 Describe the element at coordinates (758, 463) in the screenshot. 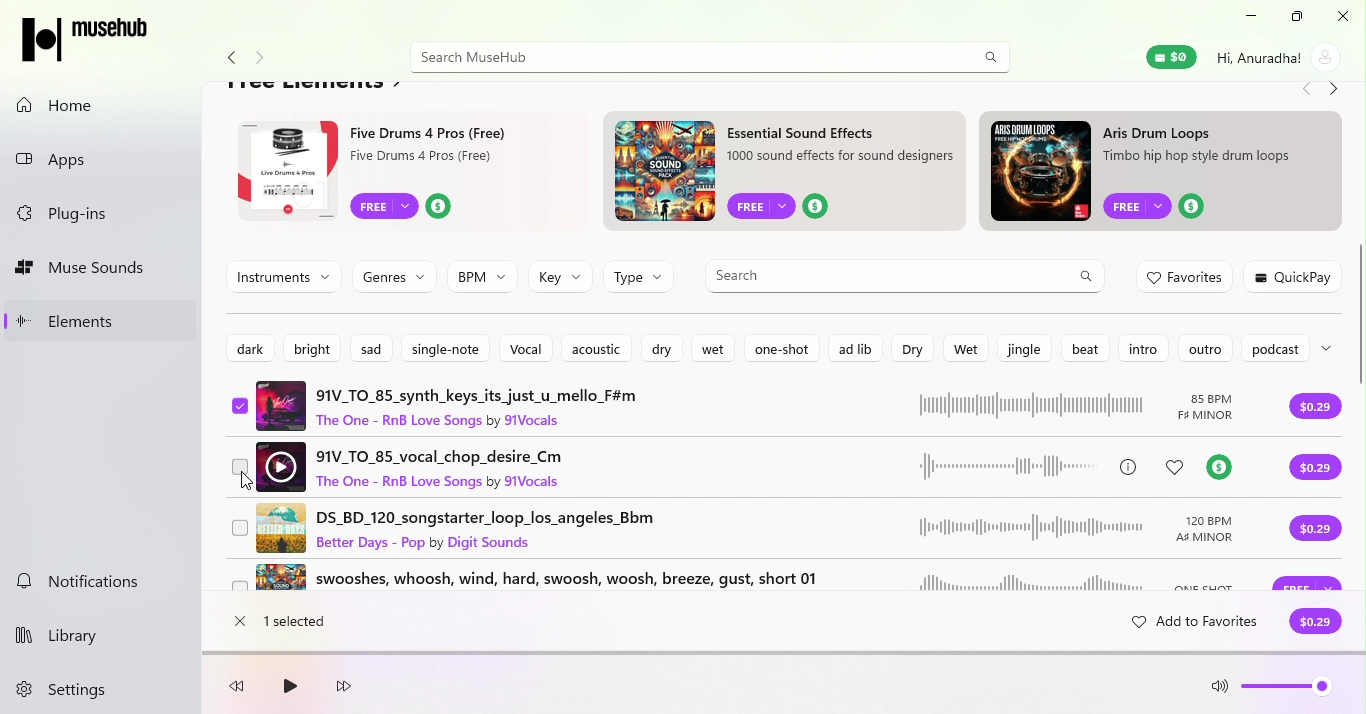

I see `91V1_TO_85_vocal_Chop_desire_CM` at that location.